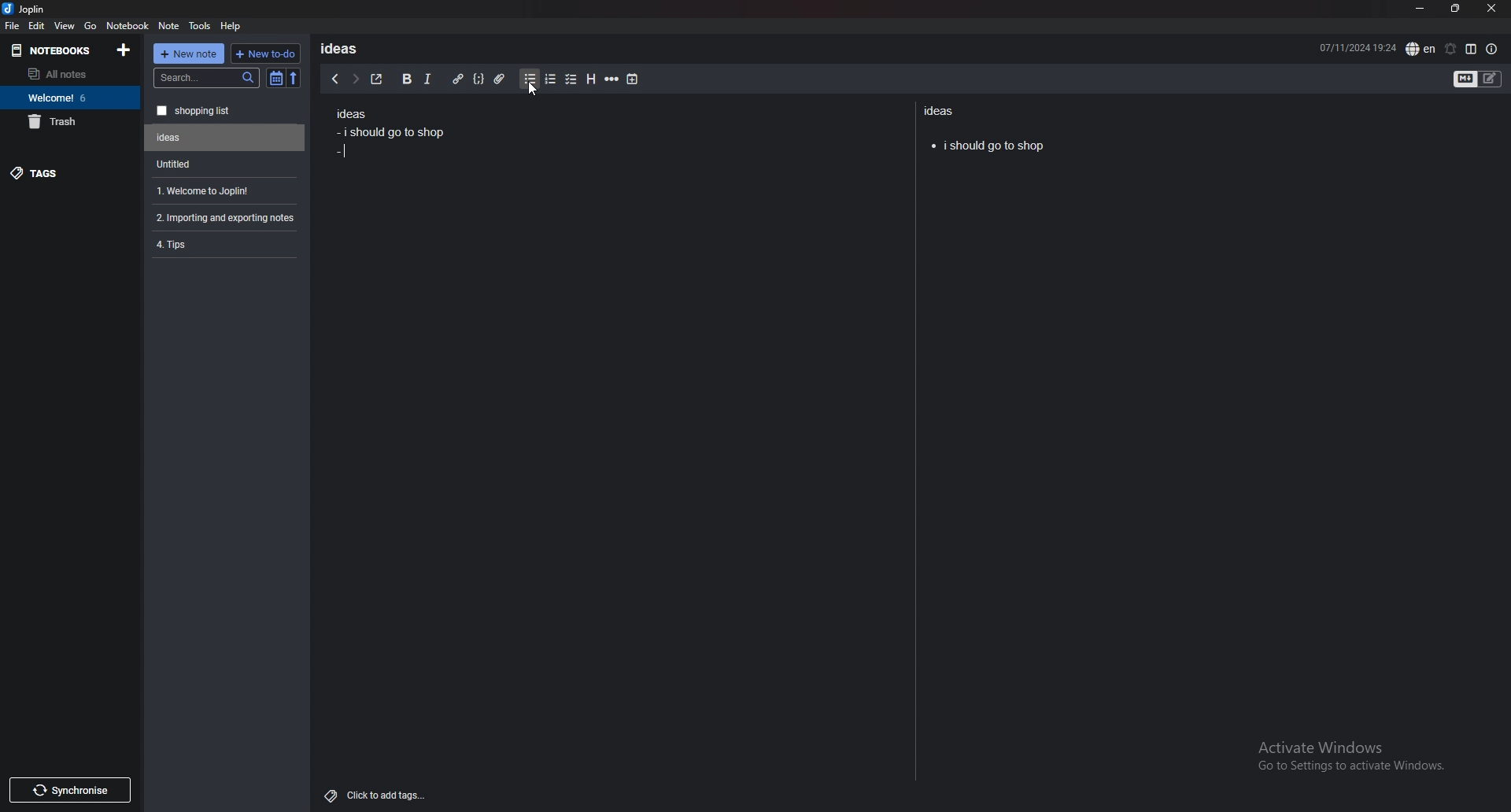  What do you see at coordinates (350, 115) in the screenshot?
I see `ideas` at bounding box center [350, 115].